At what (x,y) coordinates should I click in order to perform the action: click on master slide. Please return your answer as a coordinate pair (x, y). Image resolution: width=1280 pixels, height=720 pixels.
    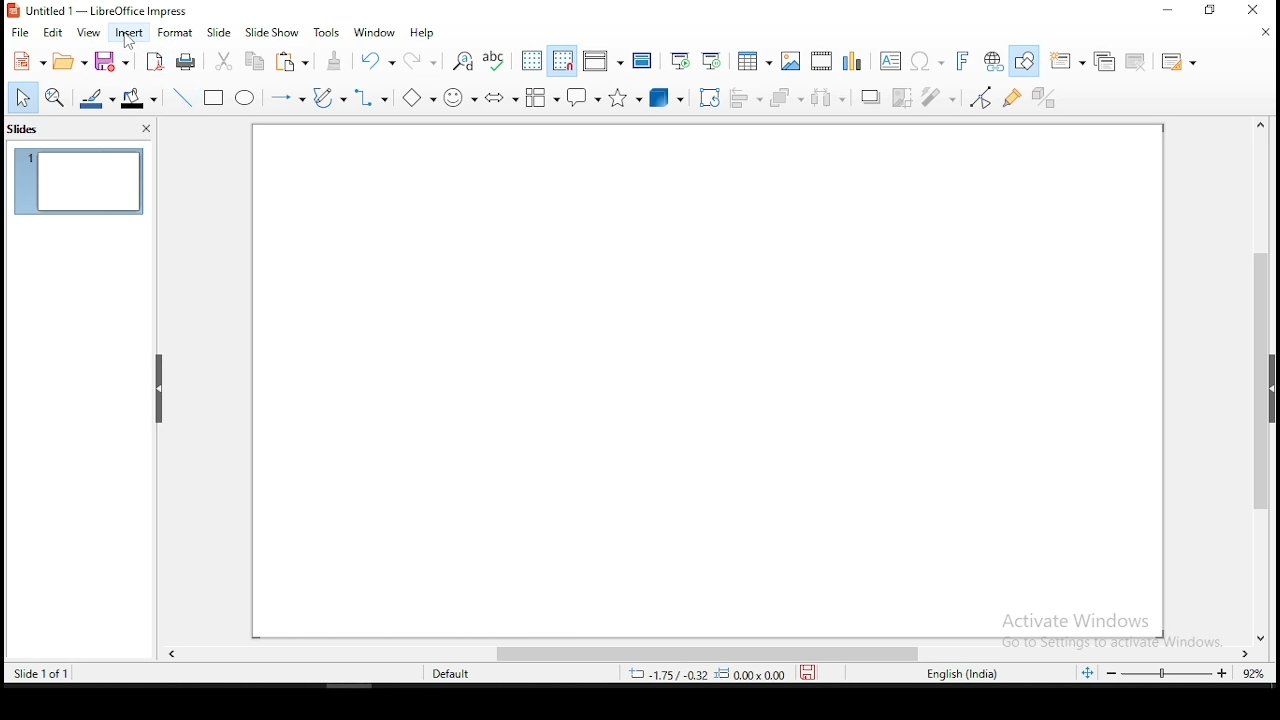
    Looking at the image, I should click on (645, 59).